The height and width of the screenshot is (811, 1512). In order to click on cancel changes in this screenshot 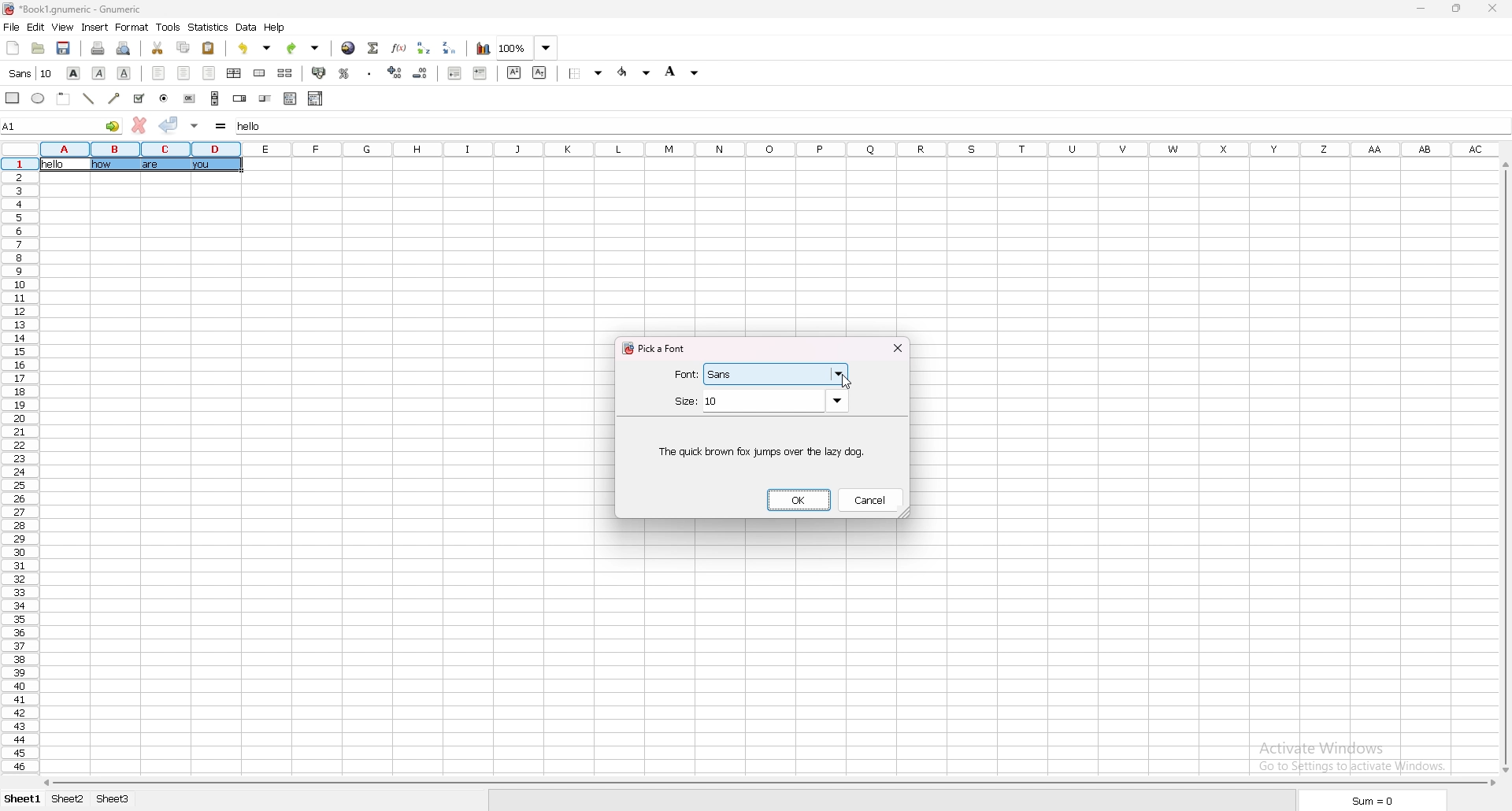, I will do `click(139, 125)`.